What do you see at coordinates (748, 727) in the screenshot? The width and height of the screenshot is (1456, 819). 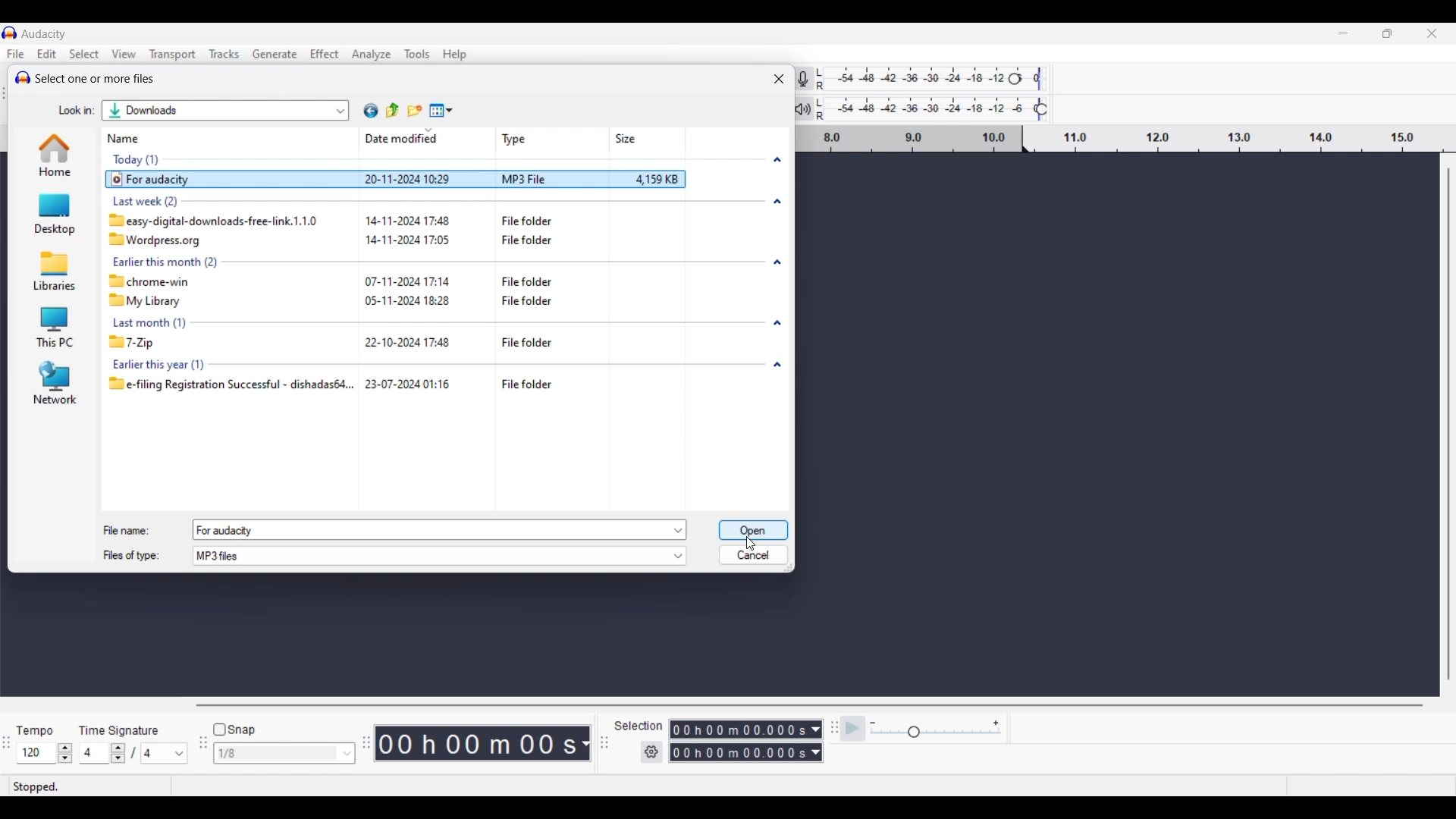 I see `00h00m00.000s` at bounding box center [748, 727].